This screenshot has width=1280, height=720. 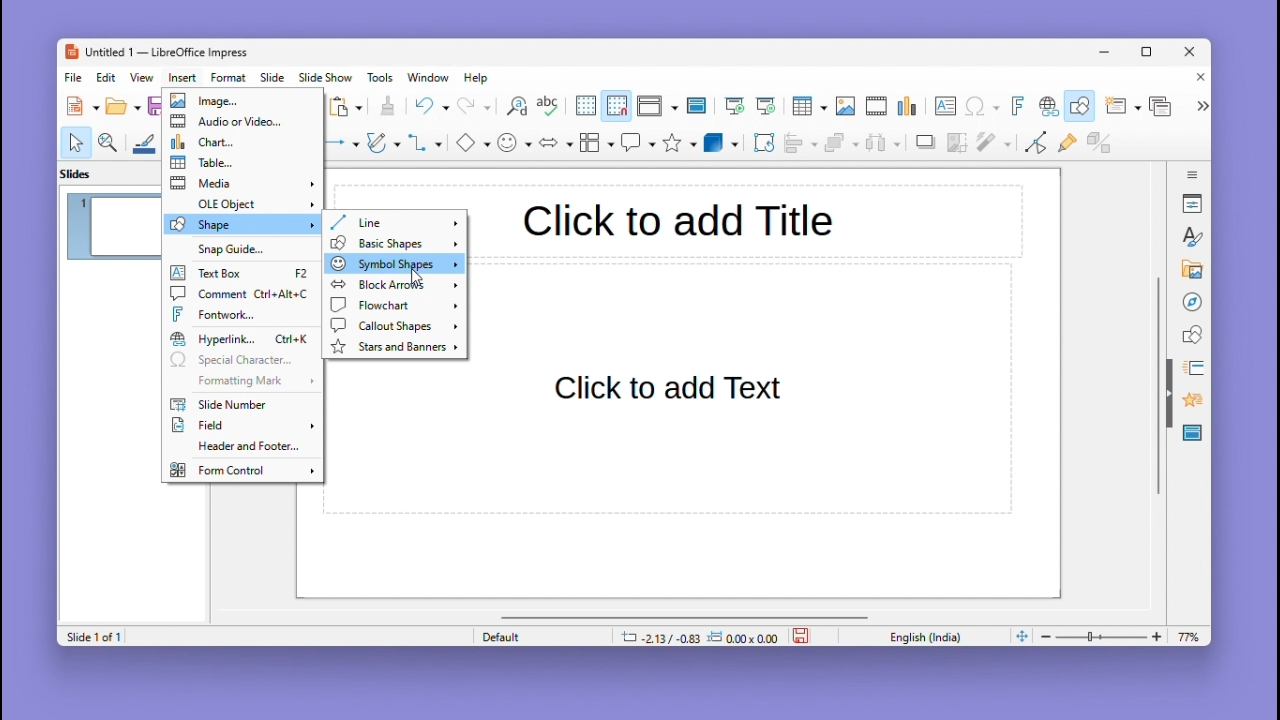 What do you see at coordinates (803, 634) in the screenshot?
I see `save` at bounding box center [803, 634].